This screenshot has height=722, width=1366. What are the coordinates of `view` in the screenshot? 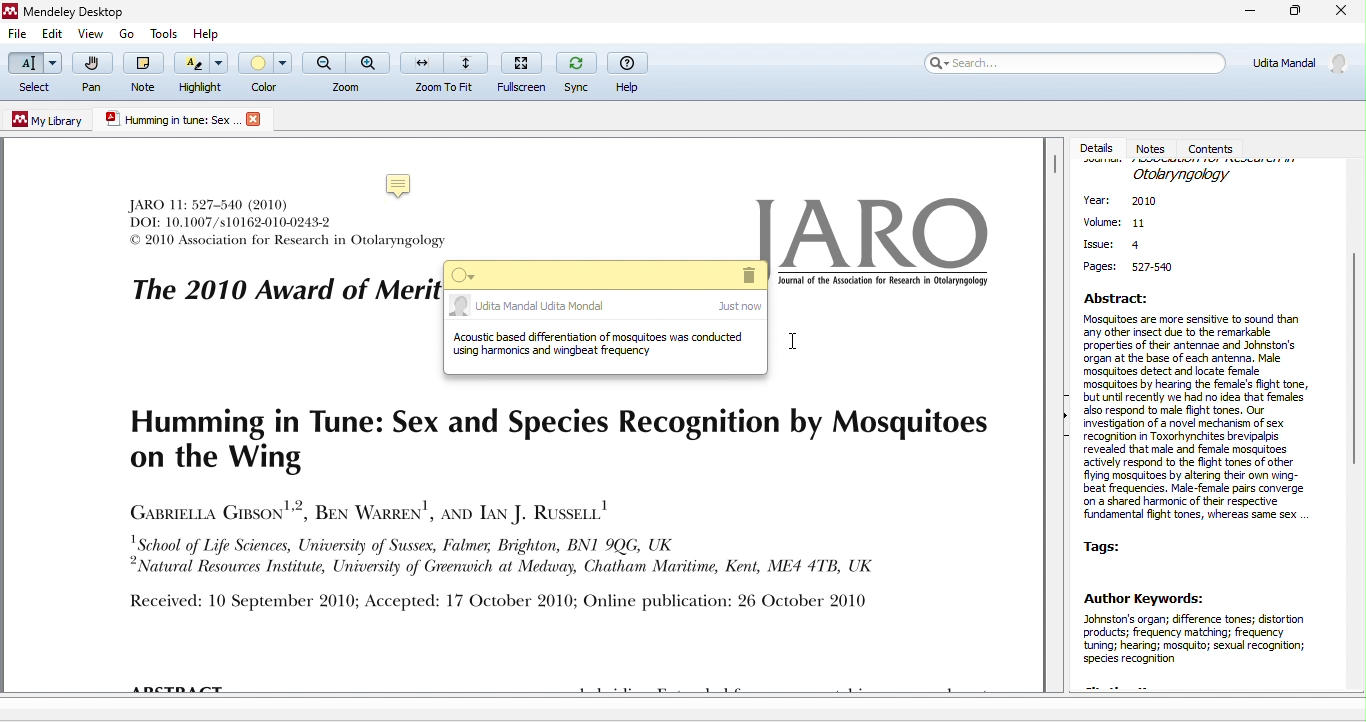 It's located at (91, 35).